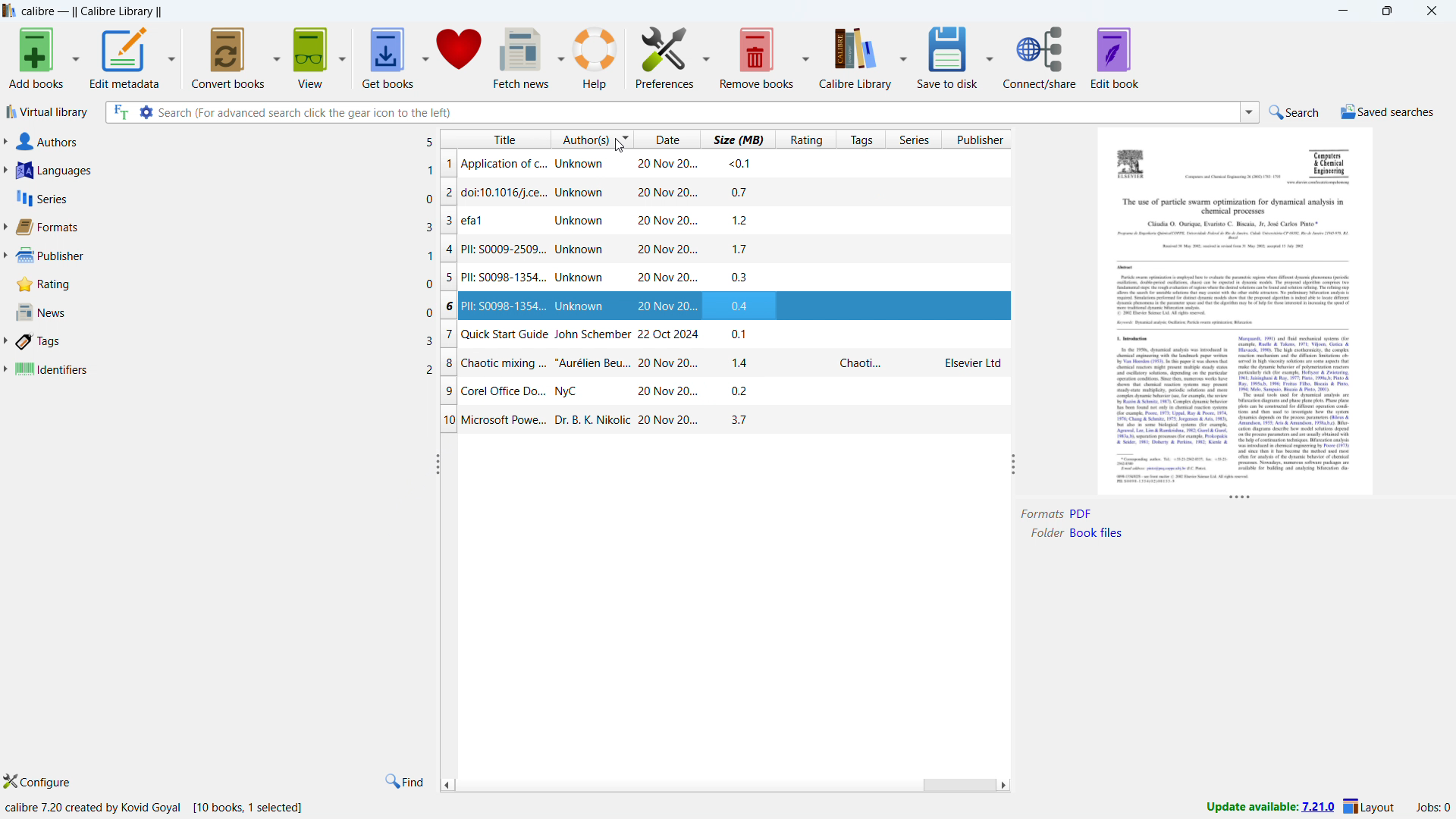  What do you see at coordinates (741, 278) in the screenshot?
I see `03` at bounding box center [741, 278].